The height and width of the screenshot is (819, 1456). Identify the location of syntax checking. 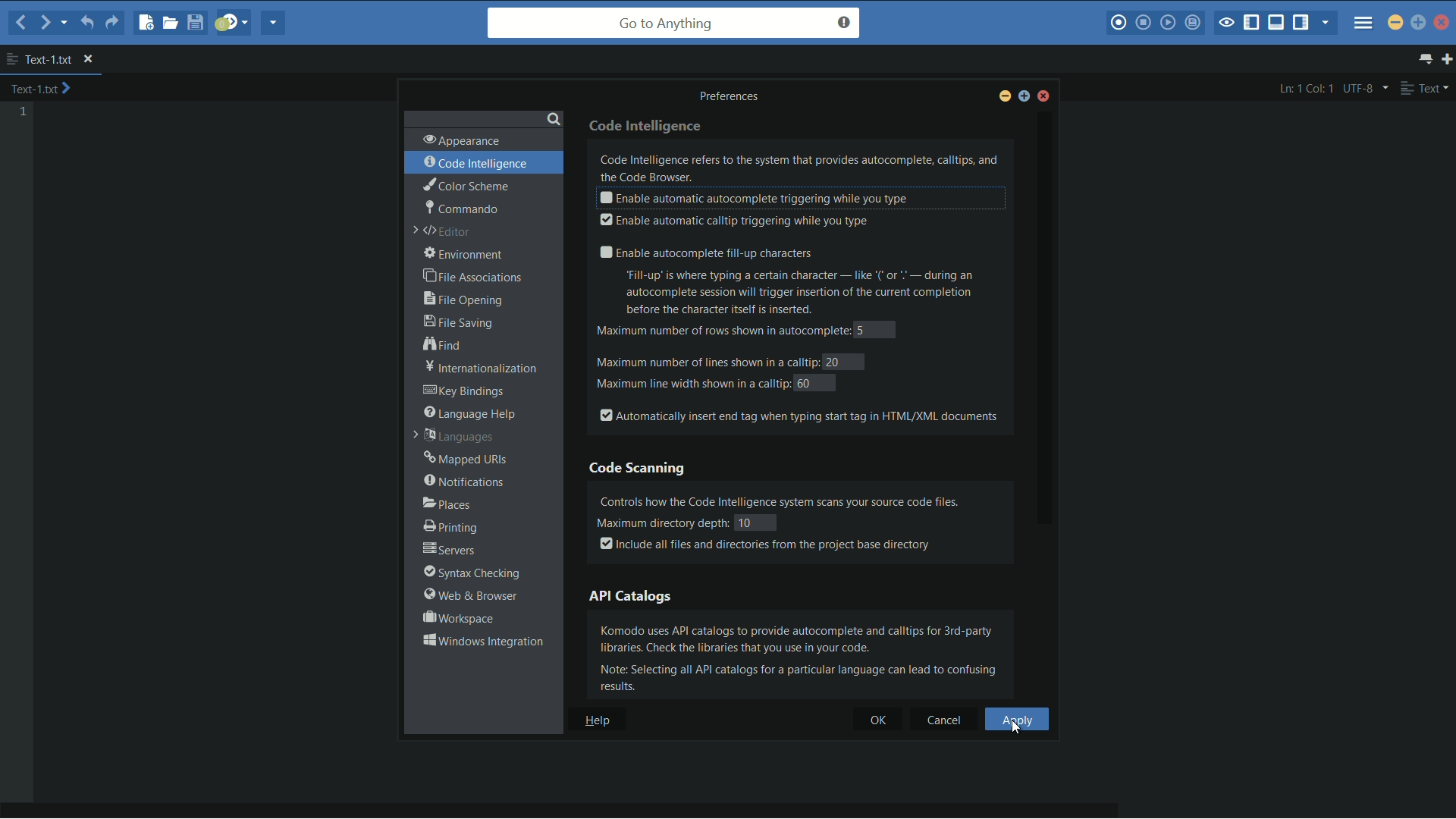
(470, 573).